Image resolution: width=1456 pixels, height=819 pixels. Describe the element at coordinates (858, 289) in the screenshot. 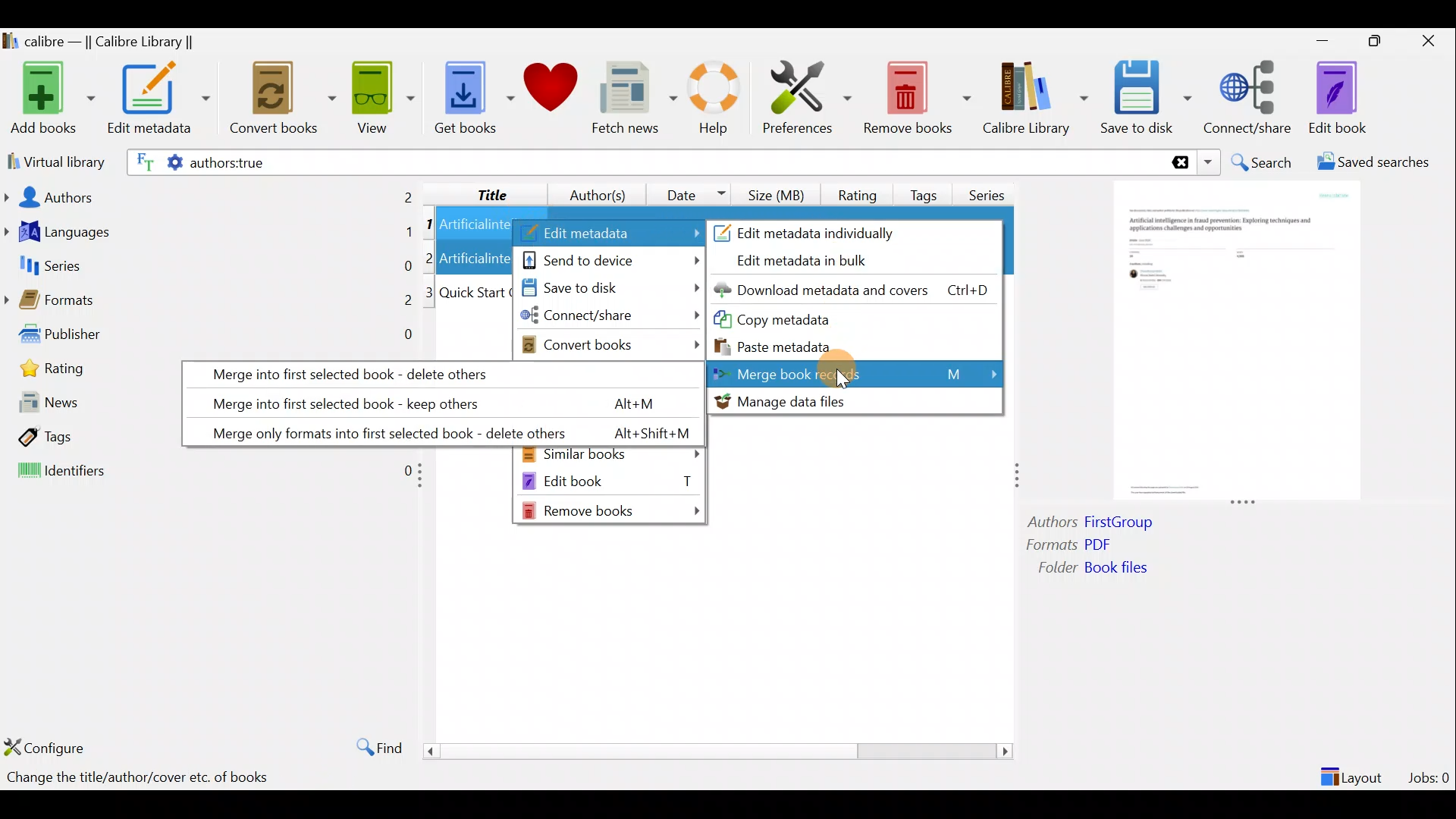

I see `Download metadata and covers` at that location.